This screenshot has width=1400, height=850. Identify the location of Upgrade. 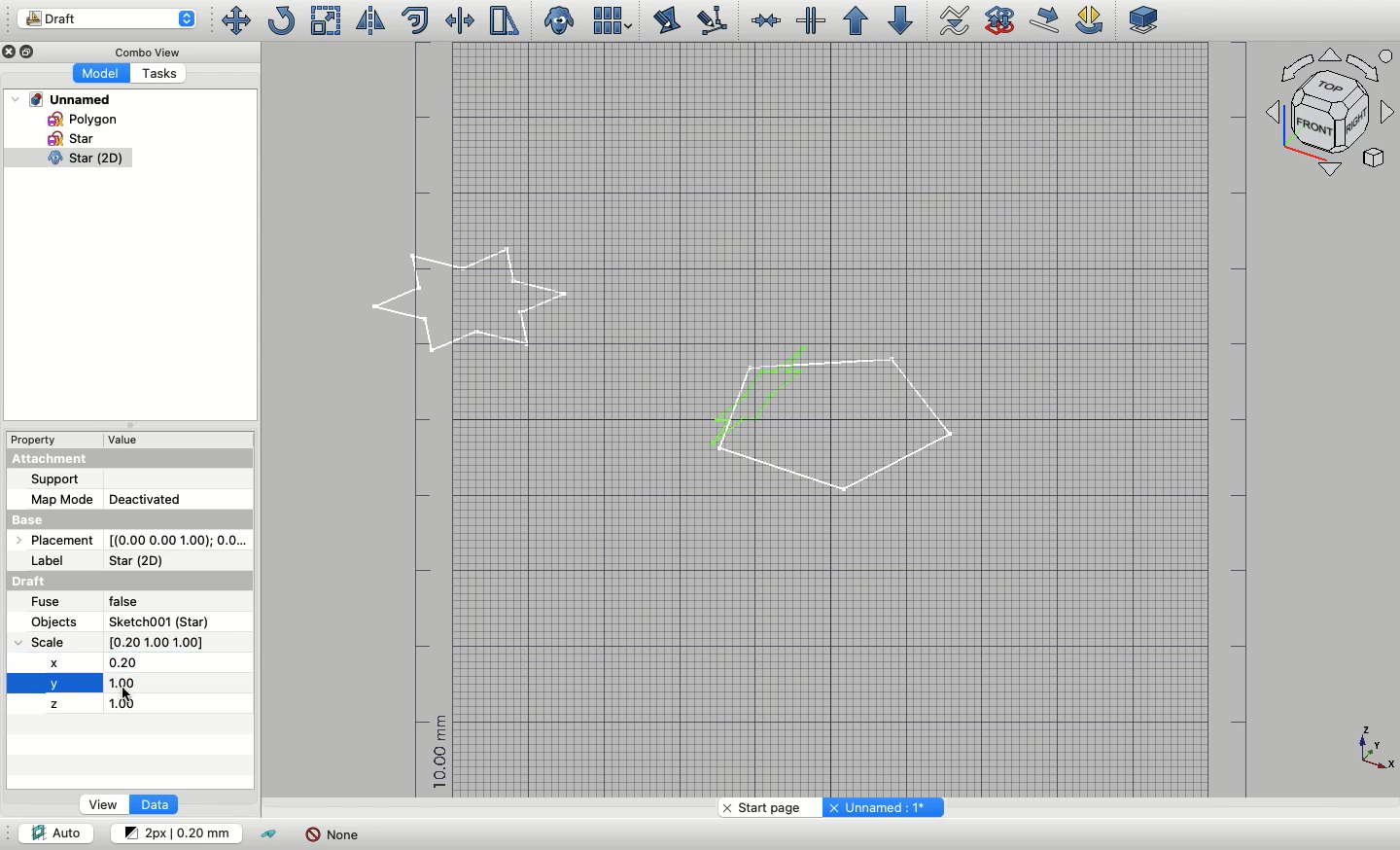
(856, 21).